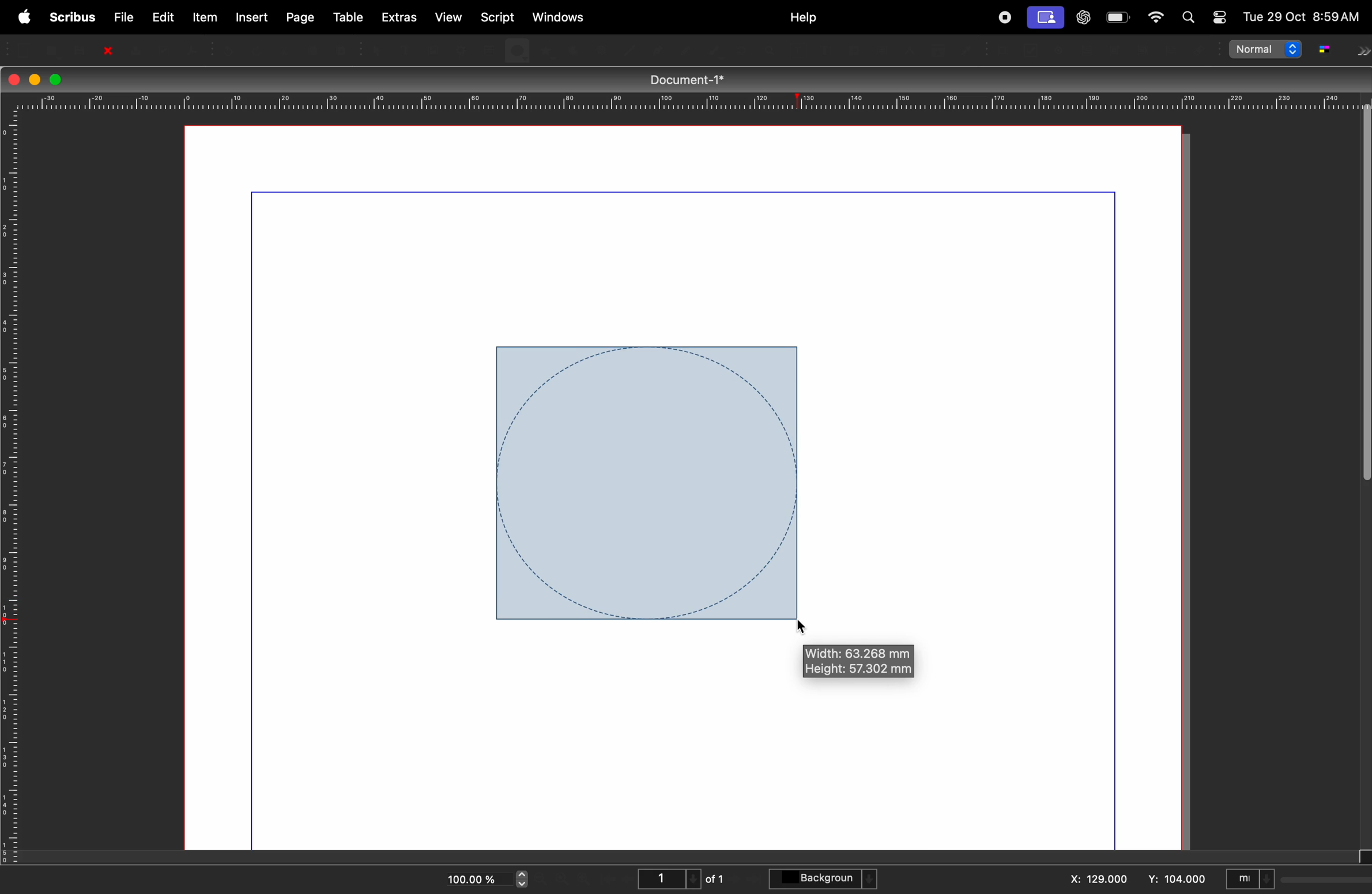 This screenshot has height=894, width=1372. I want to click on Line, so click(657, 50).